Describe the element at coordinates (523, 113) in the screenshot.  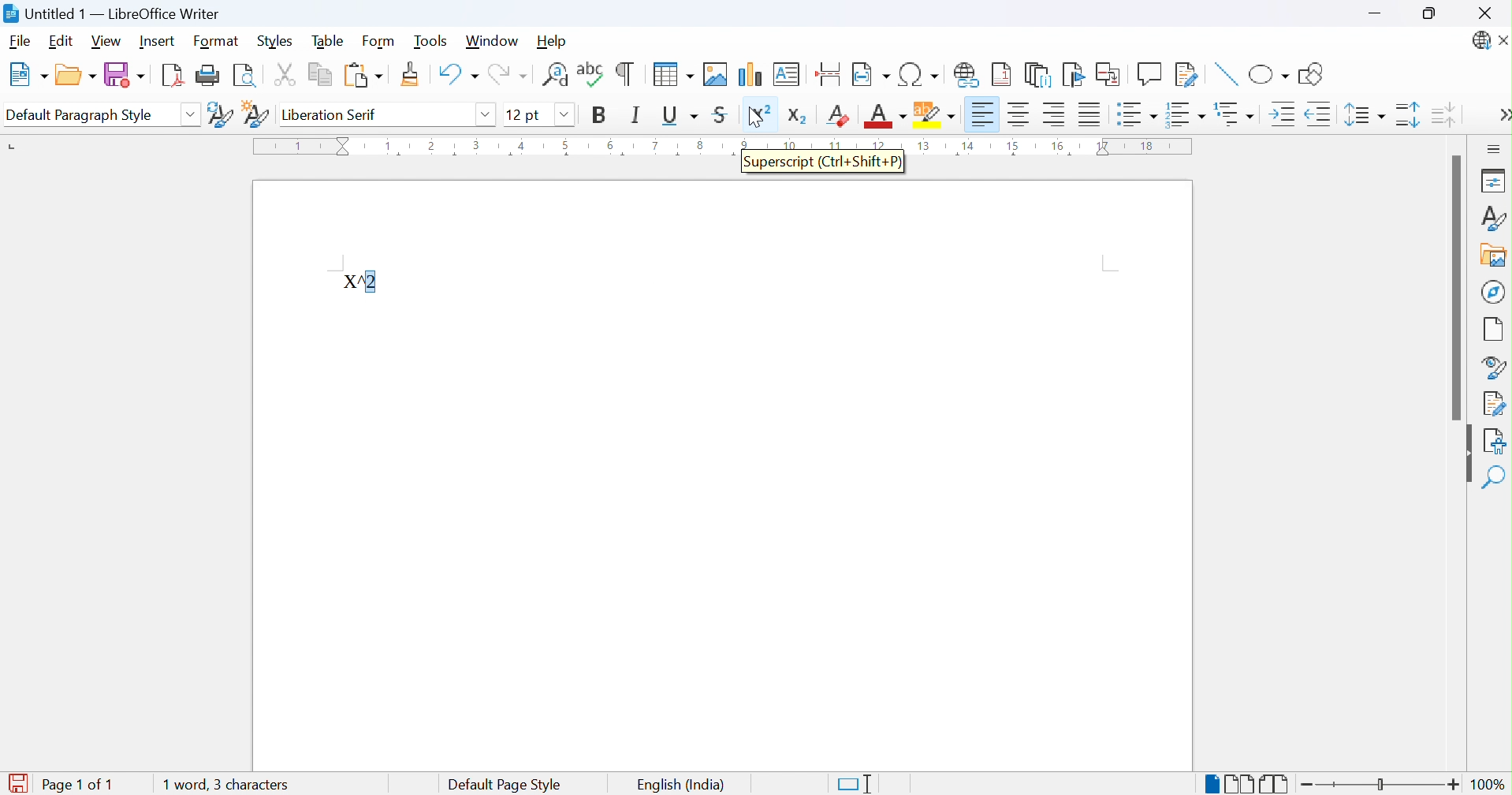
I see `12 pt` at that location.